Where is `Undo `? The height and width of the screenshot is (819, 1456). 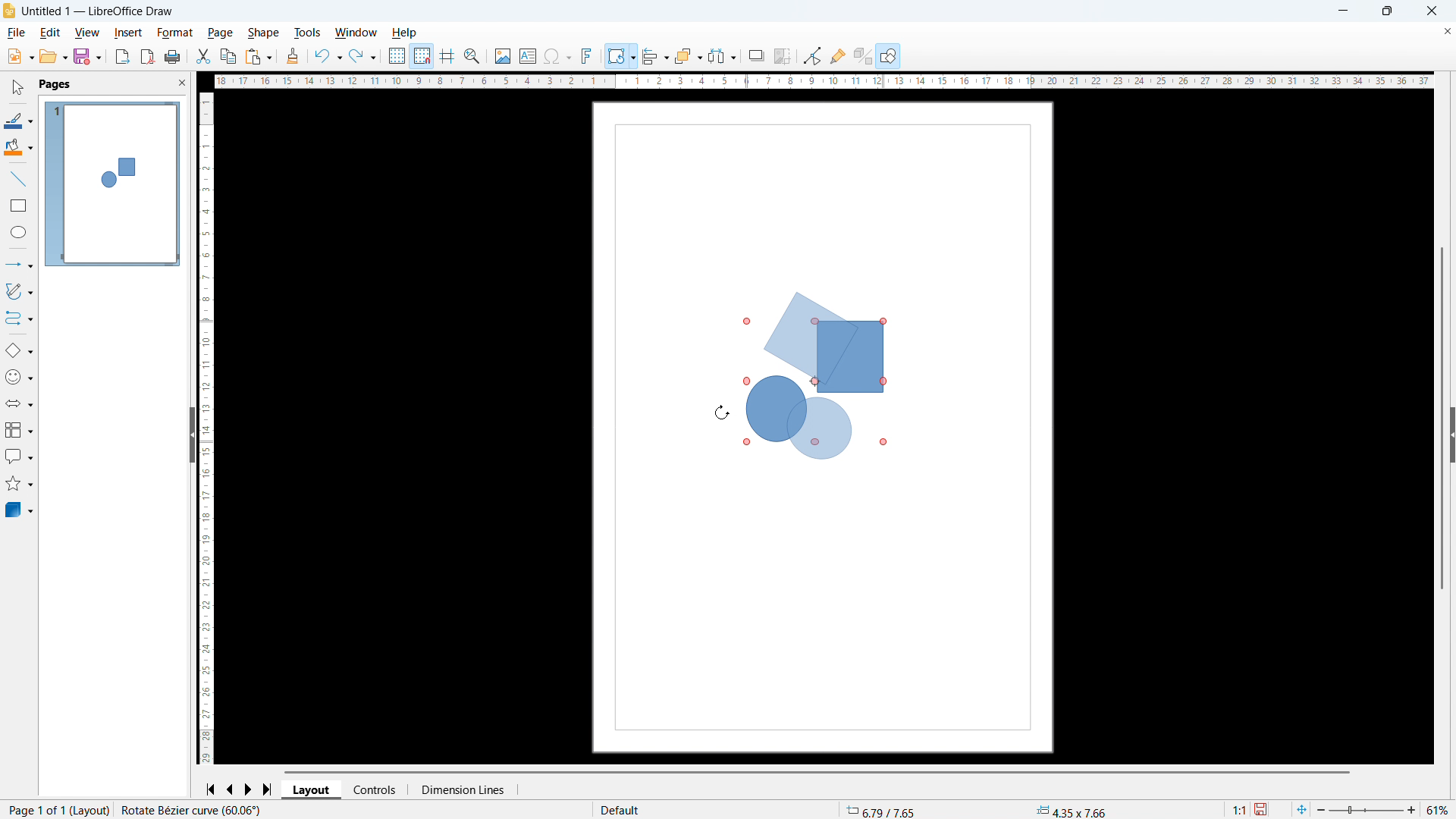 Undo  is located at coordinates (328, 55).